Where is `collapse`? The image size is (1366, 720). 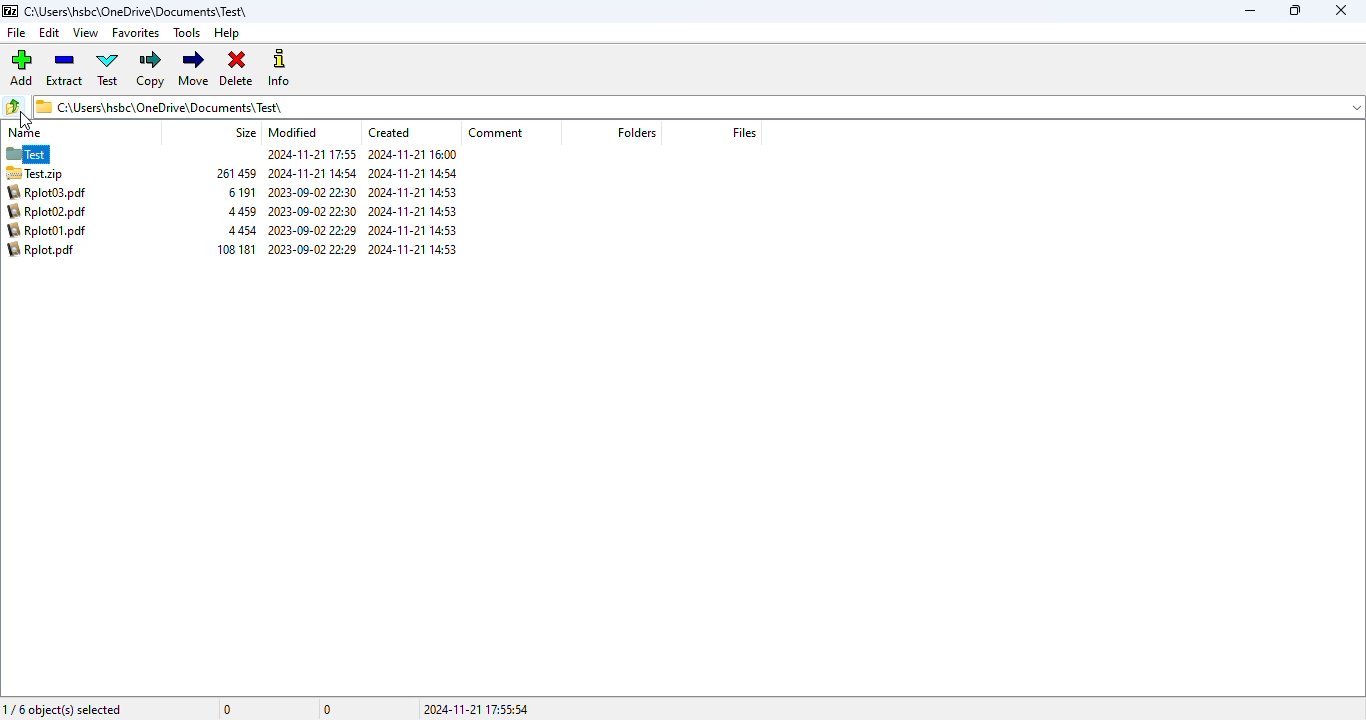 collapse is located at coordinates (1353, 108).